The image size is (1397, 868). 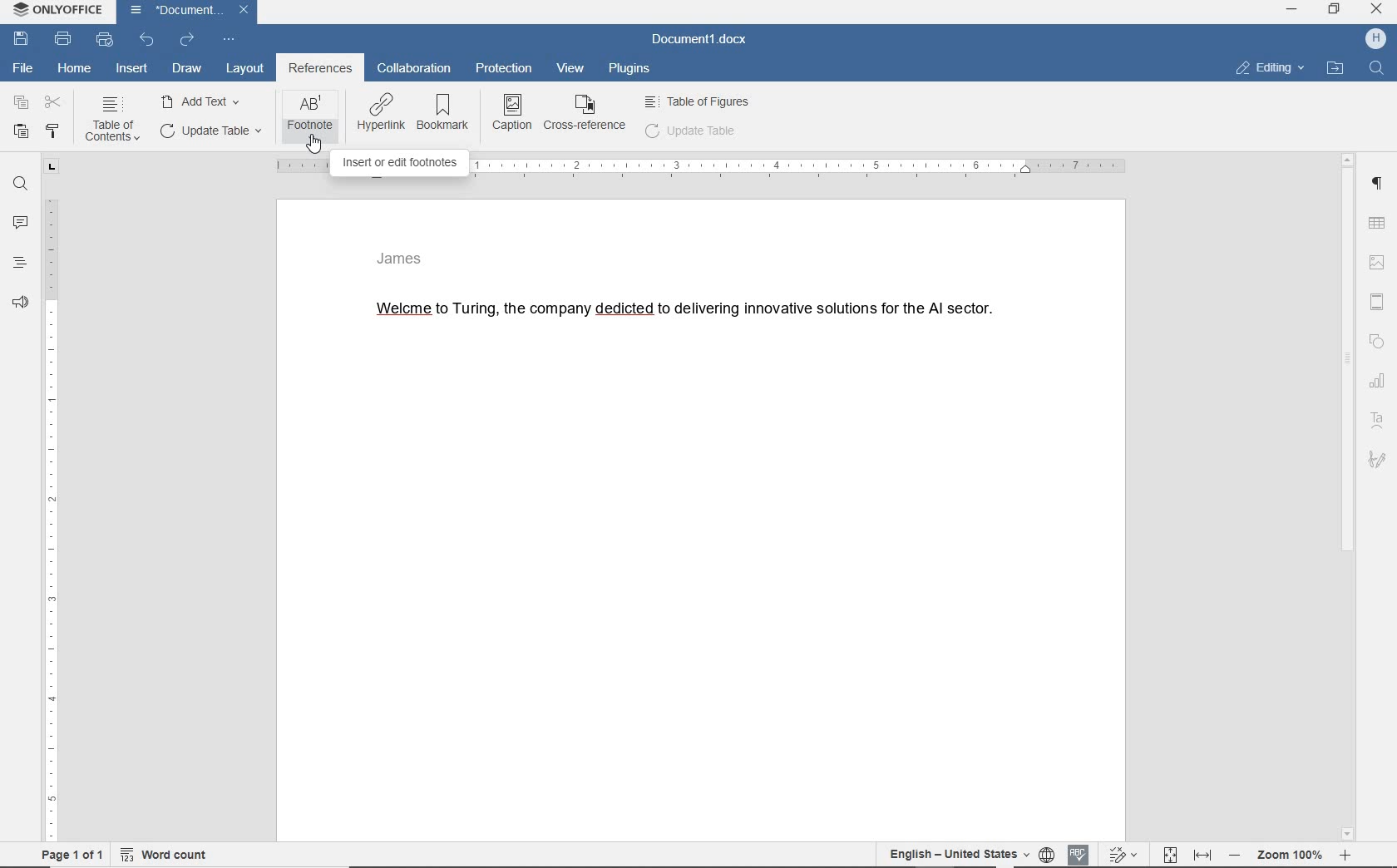 I want to click on mouse pointer, so click(x=313, y=145).